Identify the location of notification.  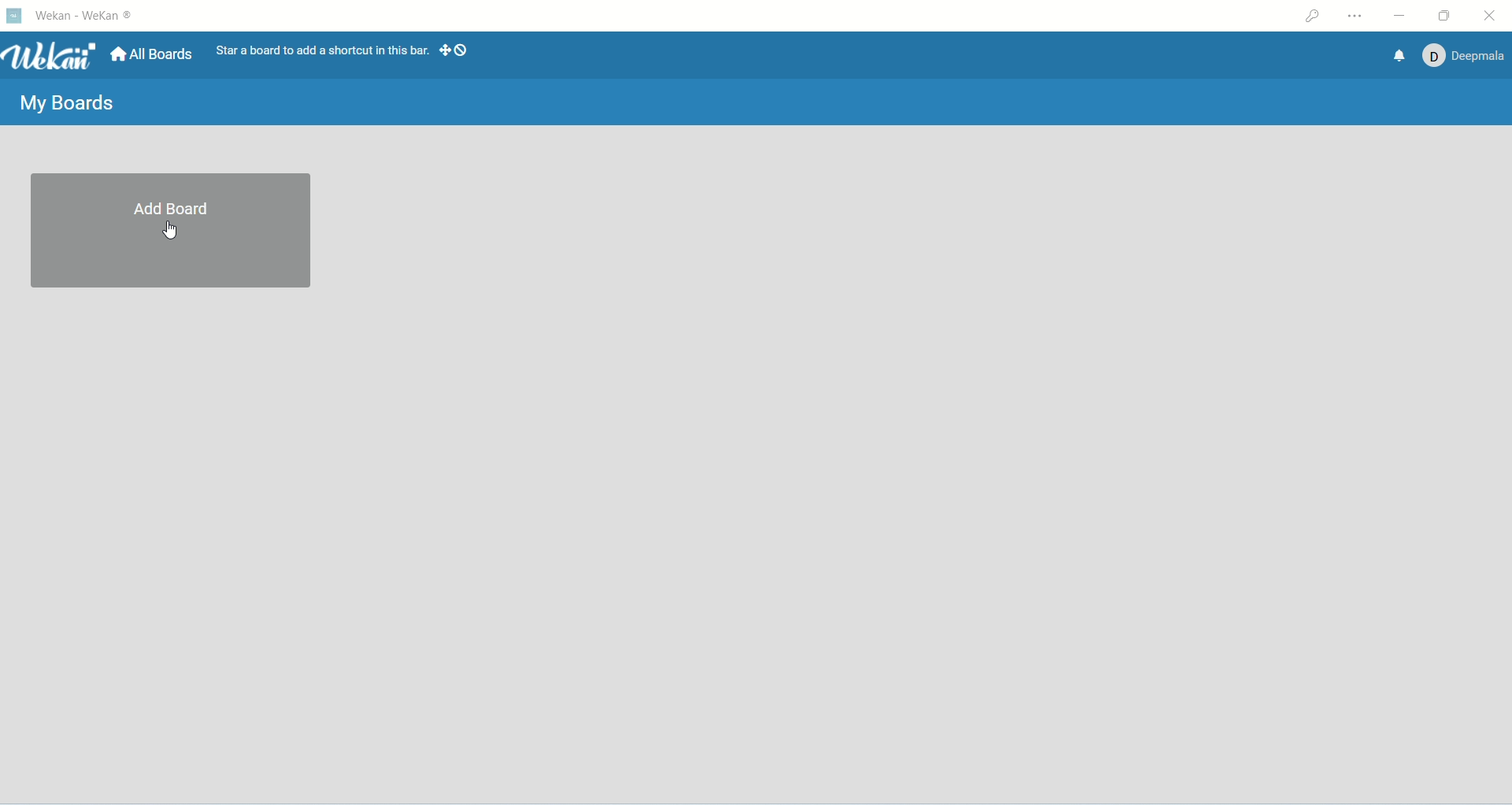
(1397, 54).